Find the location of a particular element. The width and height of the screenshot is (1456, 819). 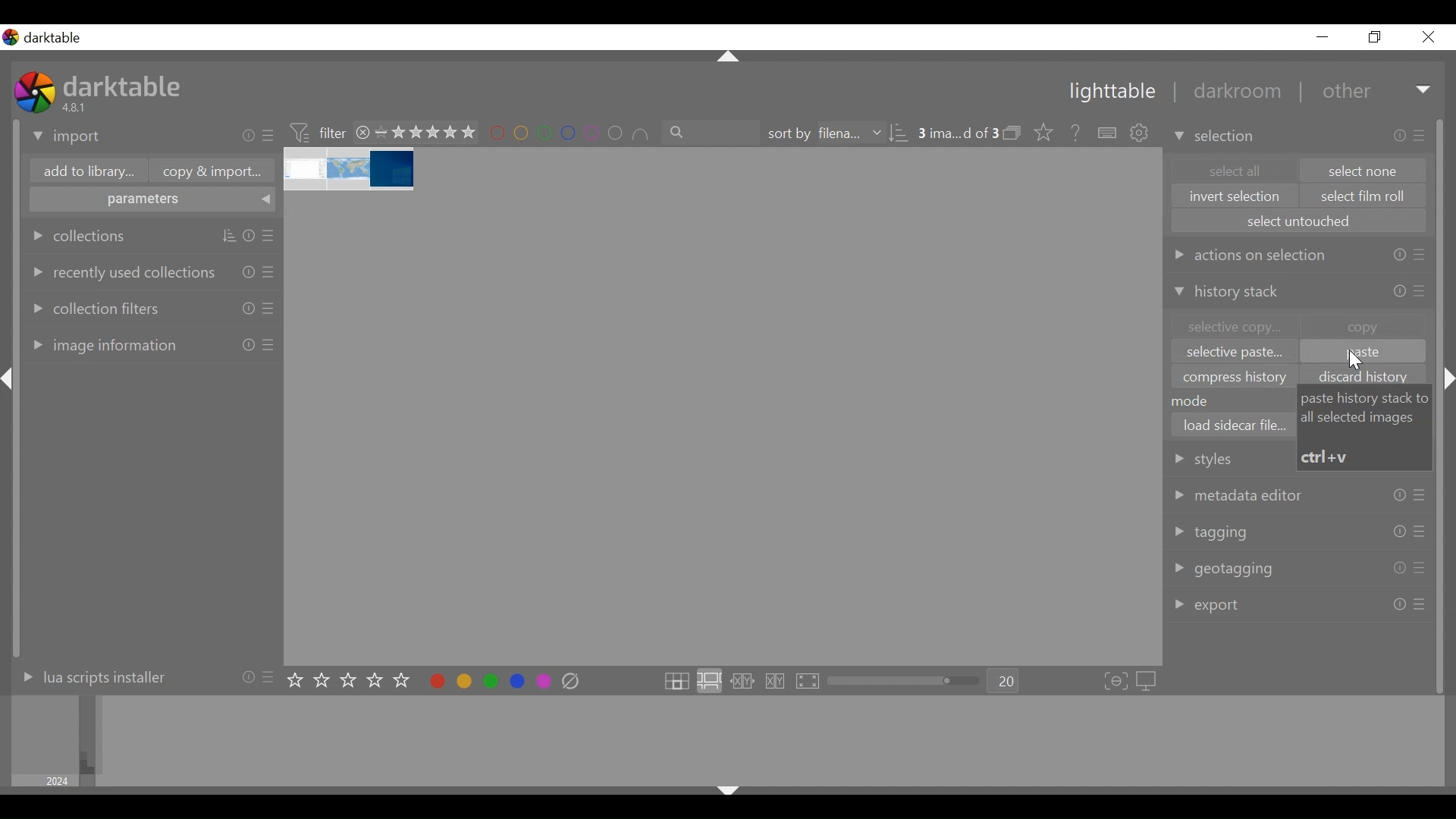

minimize is located at coordinates (1323, 37).